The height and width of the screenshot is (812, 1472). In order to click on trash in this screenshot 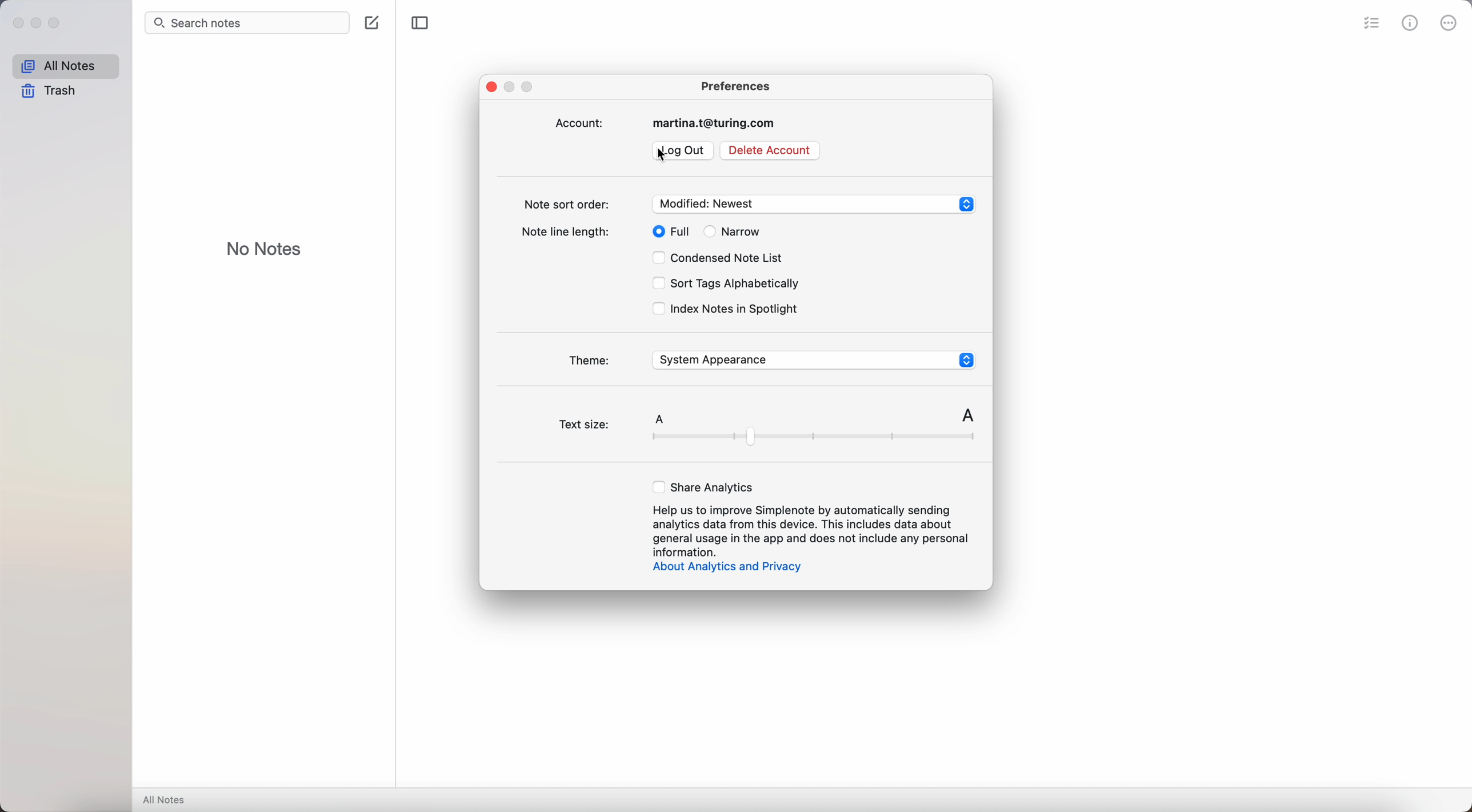, I will do `click(47, 93)`.